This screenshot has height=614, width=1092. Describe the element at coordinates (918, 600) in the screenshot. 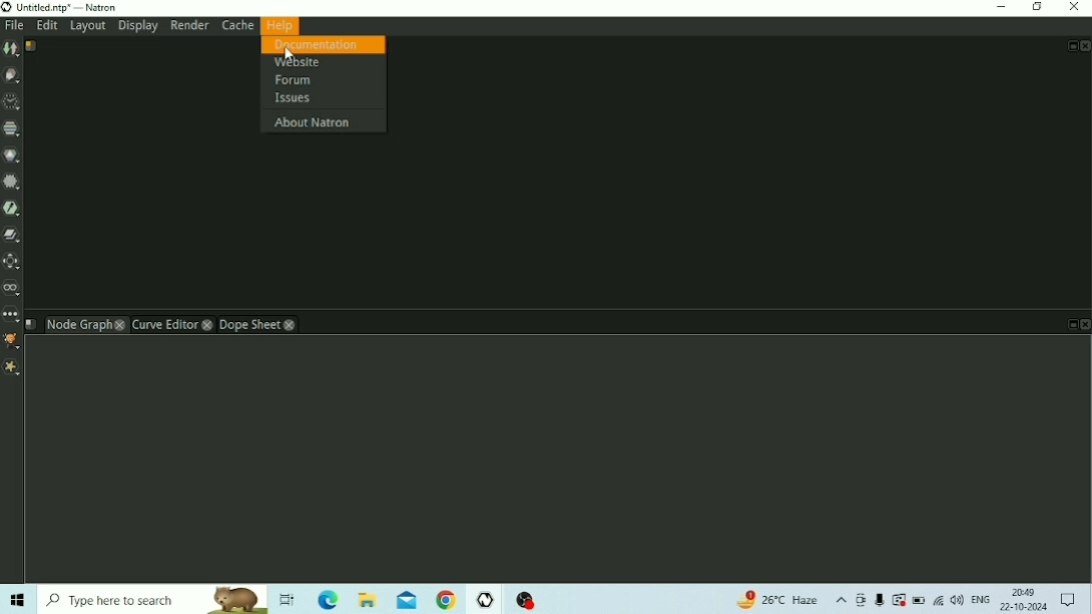

I see `Battery` at that location.